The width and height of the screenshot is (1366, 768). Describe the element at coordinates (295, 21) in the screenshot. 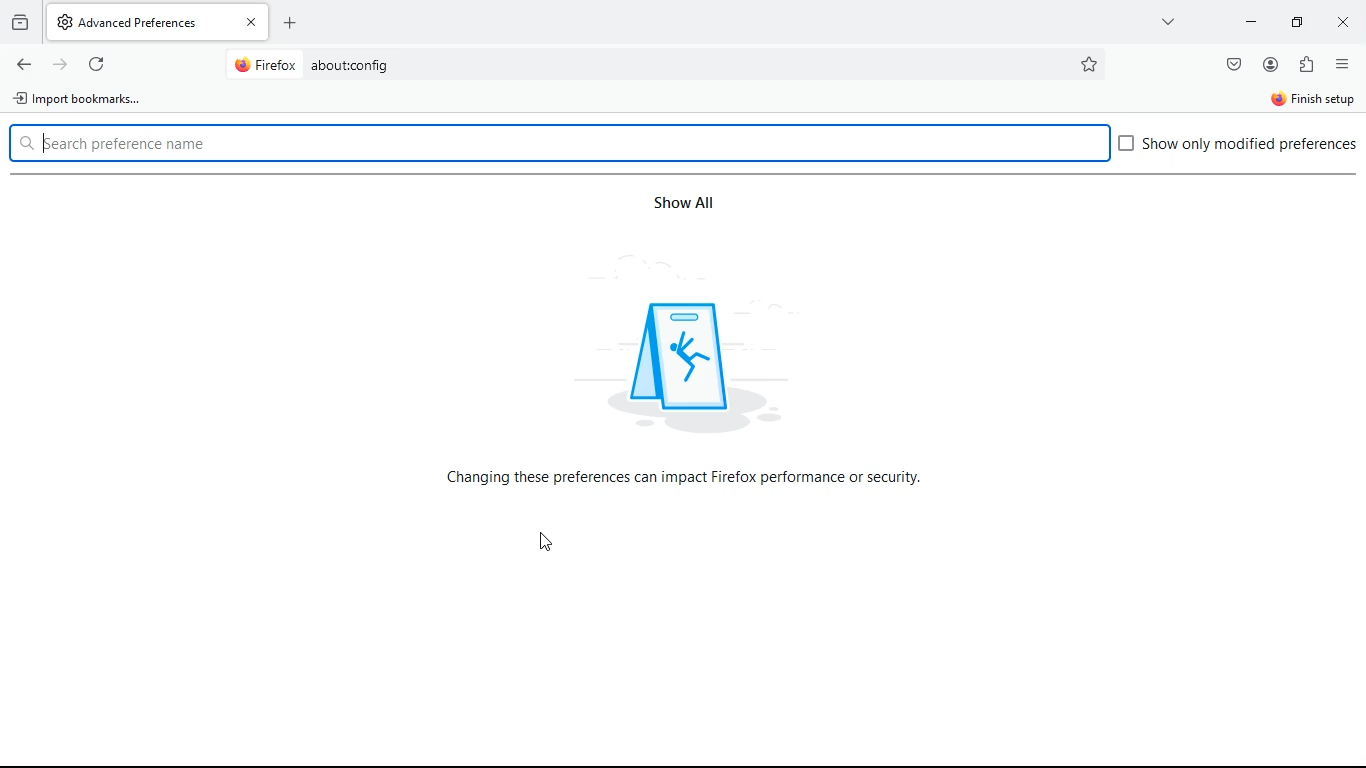

I see `add tab` at that location.